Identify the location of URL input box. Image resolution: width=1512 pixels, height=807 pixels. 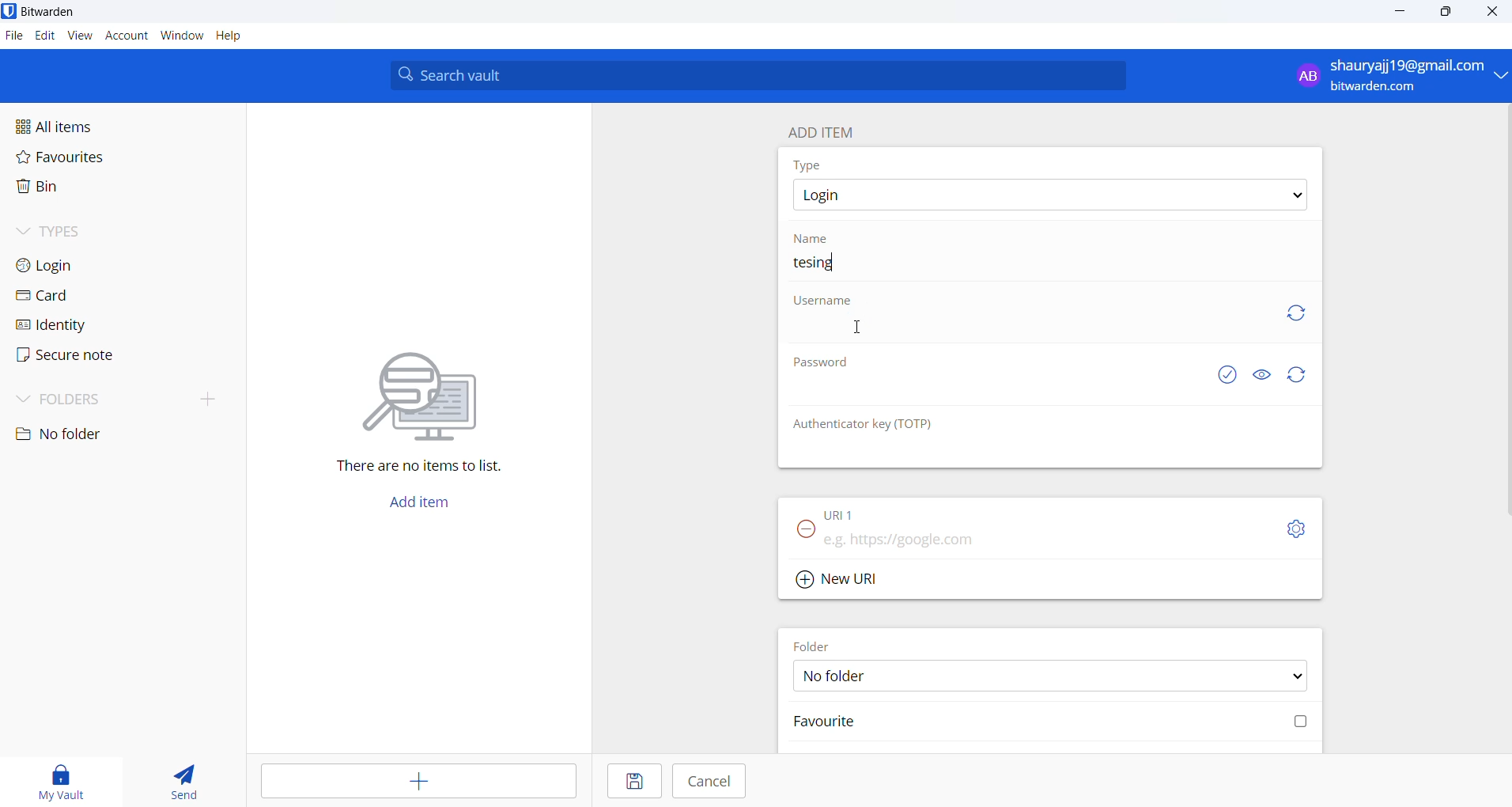
(1038, 538).